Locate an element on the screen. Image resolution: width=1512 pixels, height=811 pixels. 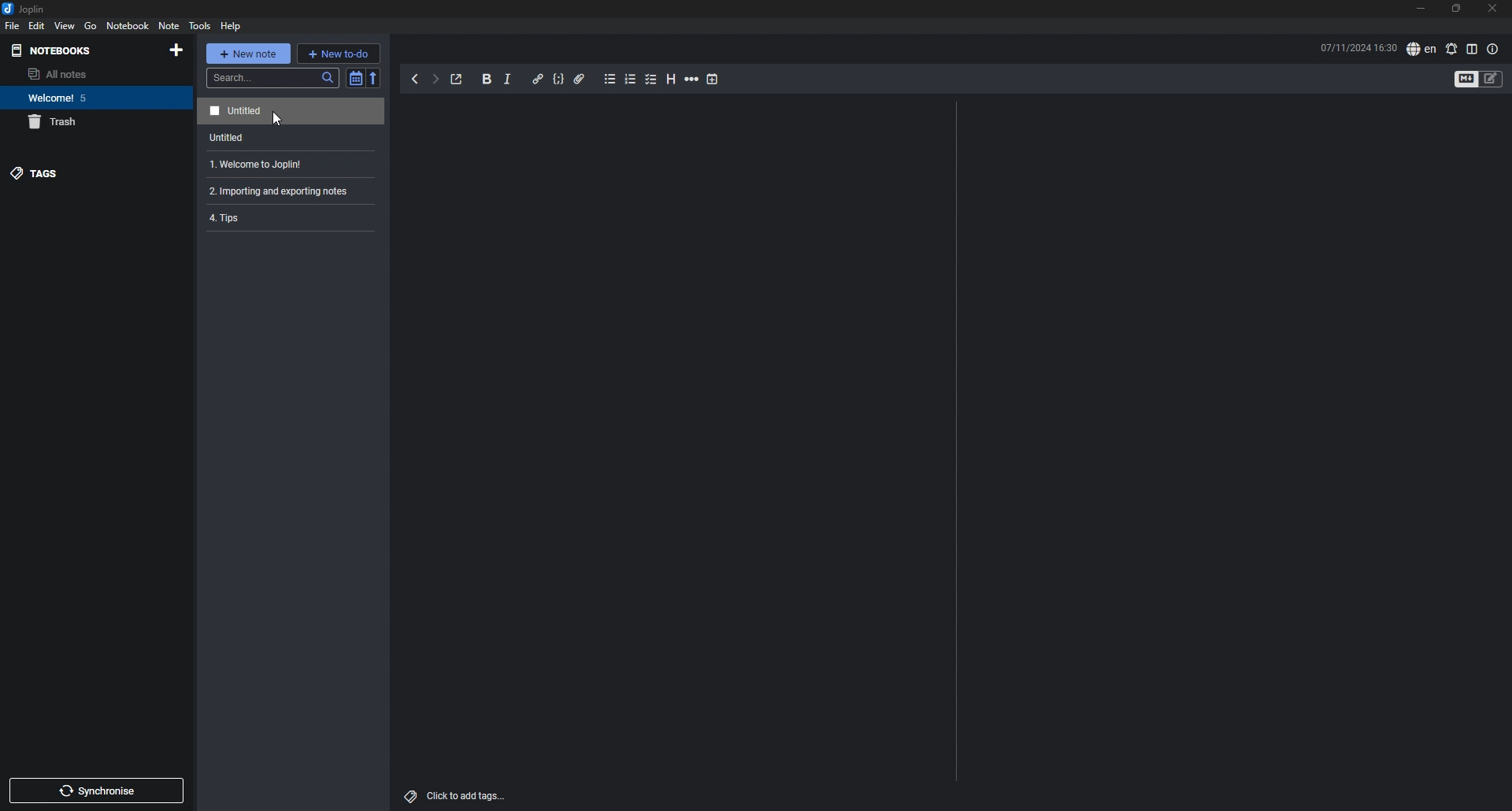
heading is located at coordinates (669, 79).